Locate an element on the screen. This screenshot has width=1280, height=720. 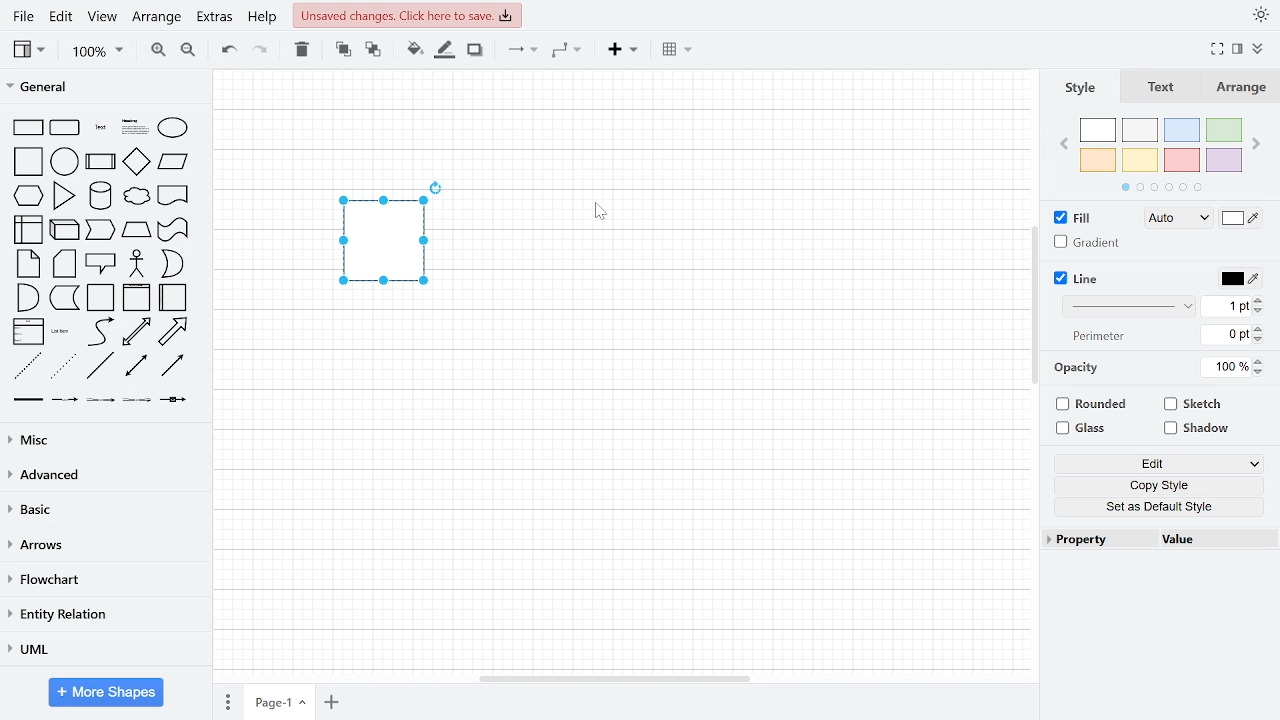
decrease perimeter is located at coordinates (1259, 339).